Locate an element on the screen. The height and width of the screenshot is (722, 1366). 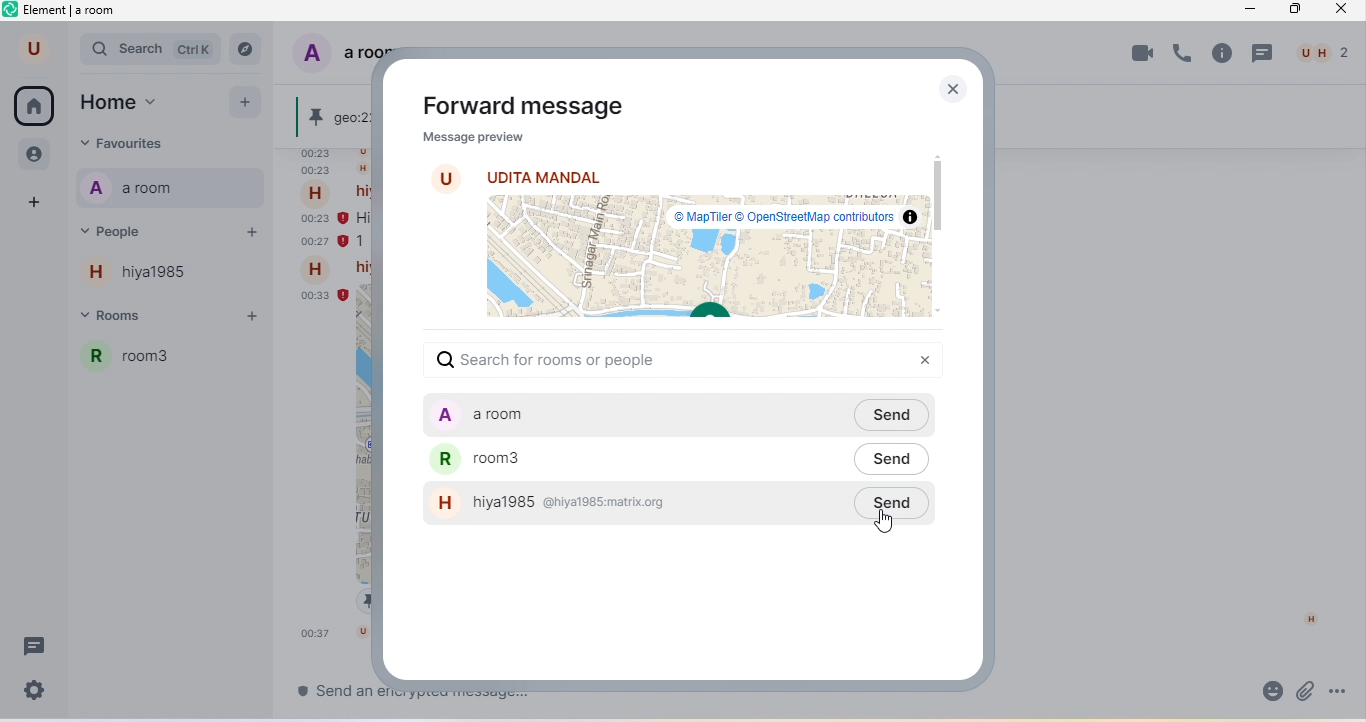
add space is located at coordinates (31, 202).